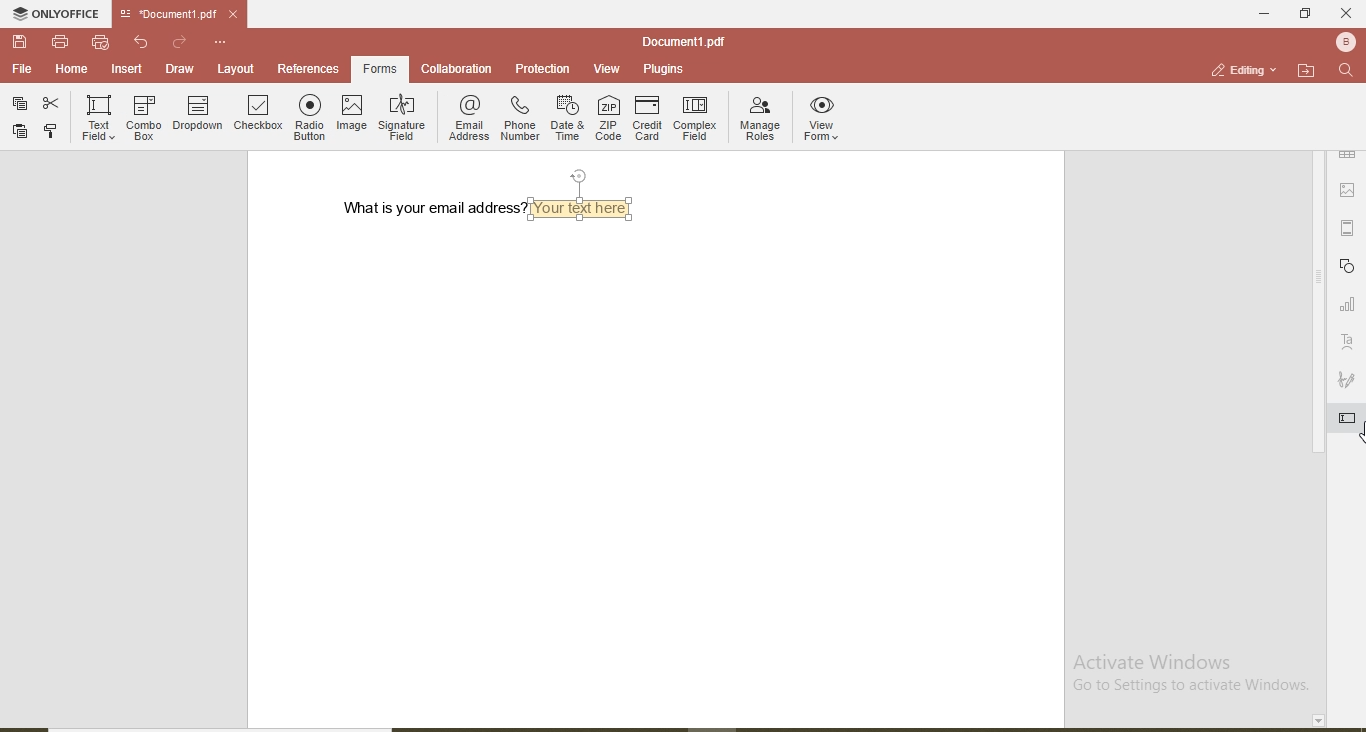 The image size is (1366, 732). What do you see at coordinates (1346, 71) in the screenshot?
I see `find` at bounding box center [1346, 71].